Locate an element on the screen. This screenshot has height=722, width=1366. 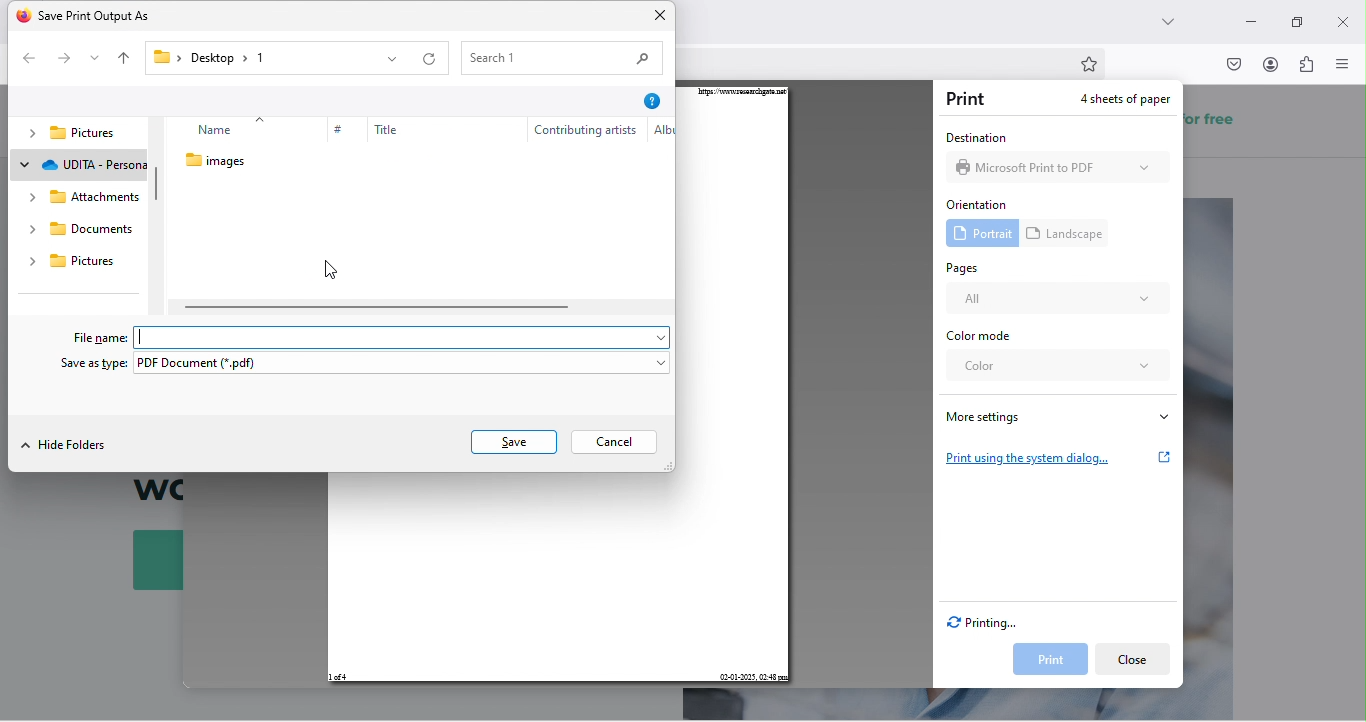
color is located at coordinates (1060, 371).